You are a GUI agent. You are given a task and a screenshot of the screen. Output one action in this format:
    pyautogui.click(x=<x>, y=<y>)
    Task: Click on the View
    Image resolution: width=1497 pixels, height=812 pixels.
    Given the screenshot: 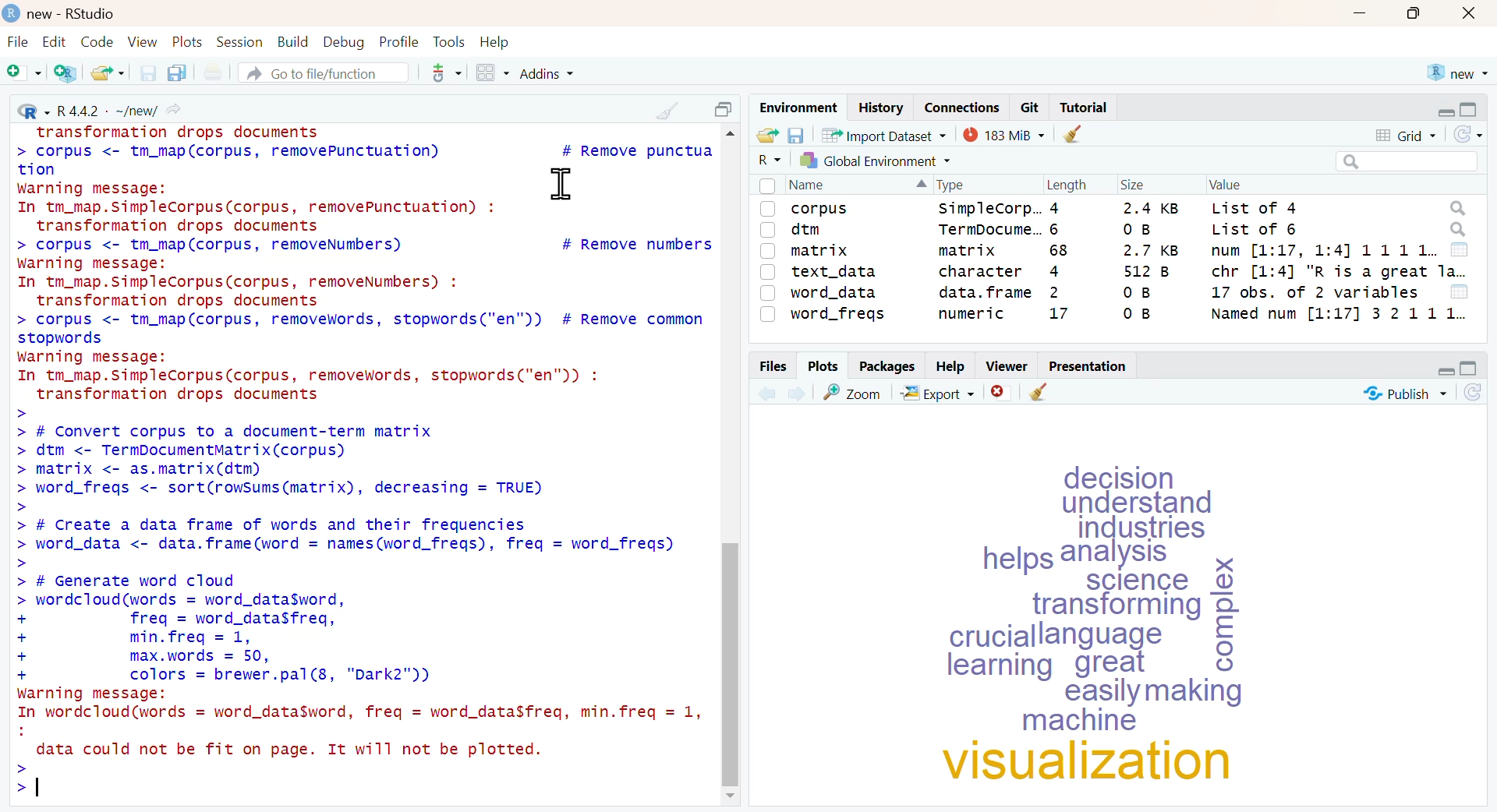 What is the action you would take?
    pyautogui.click(x=145, y=42)
    